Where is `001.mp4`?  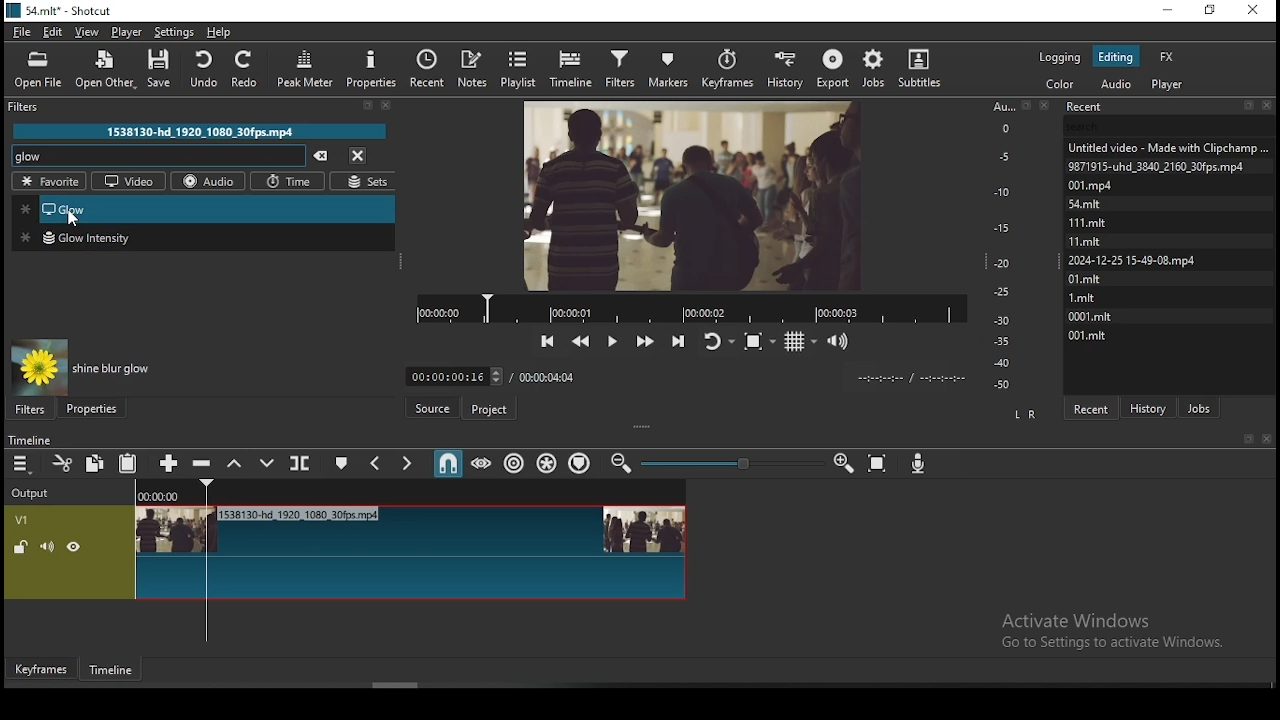
001.mp4 is located at coordinates (1112, 185).